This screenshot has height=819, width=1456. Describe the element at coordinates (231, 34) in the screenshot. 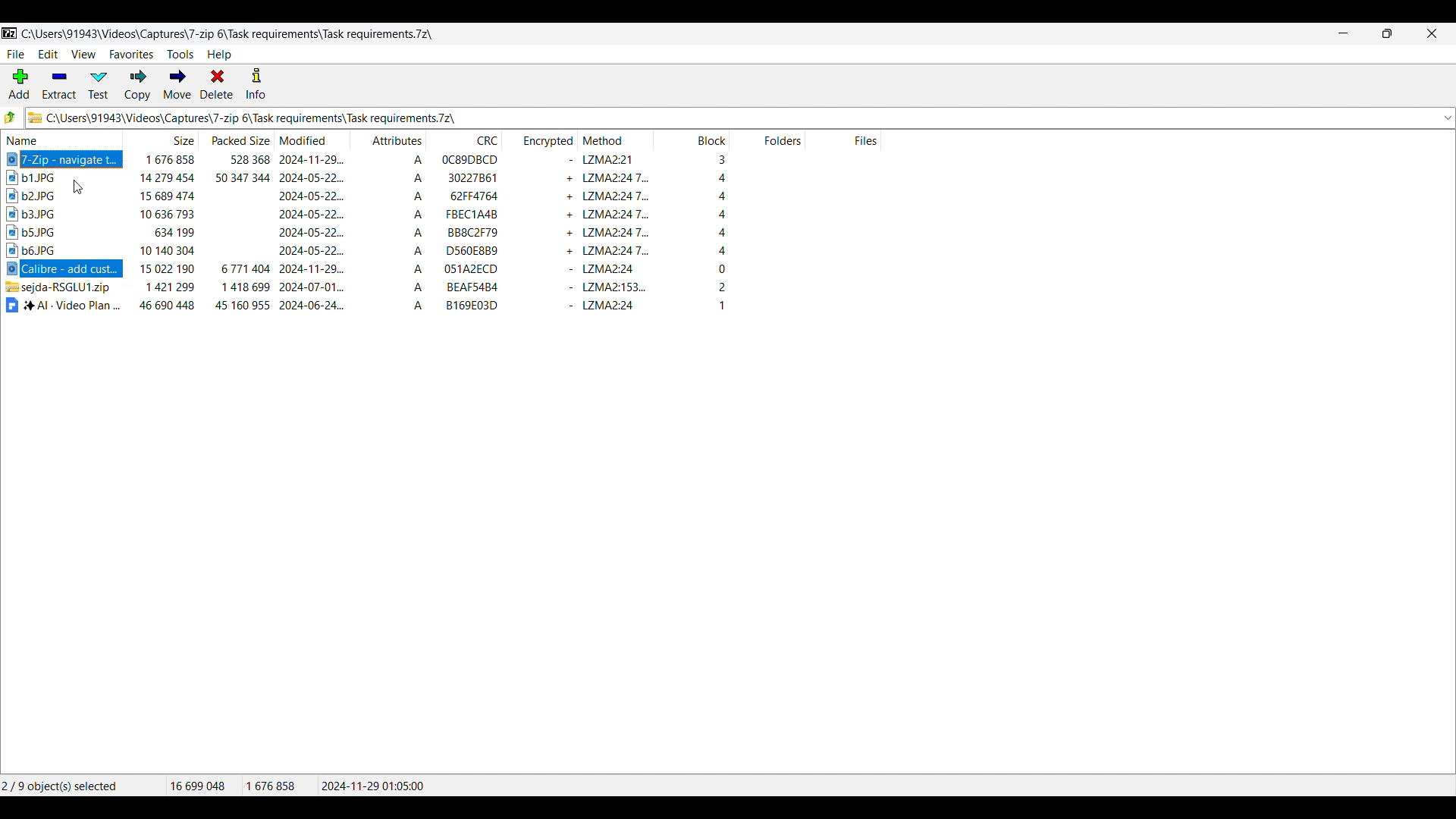

I see `Location of current folder` at that location.